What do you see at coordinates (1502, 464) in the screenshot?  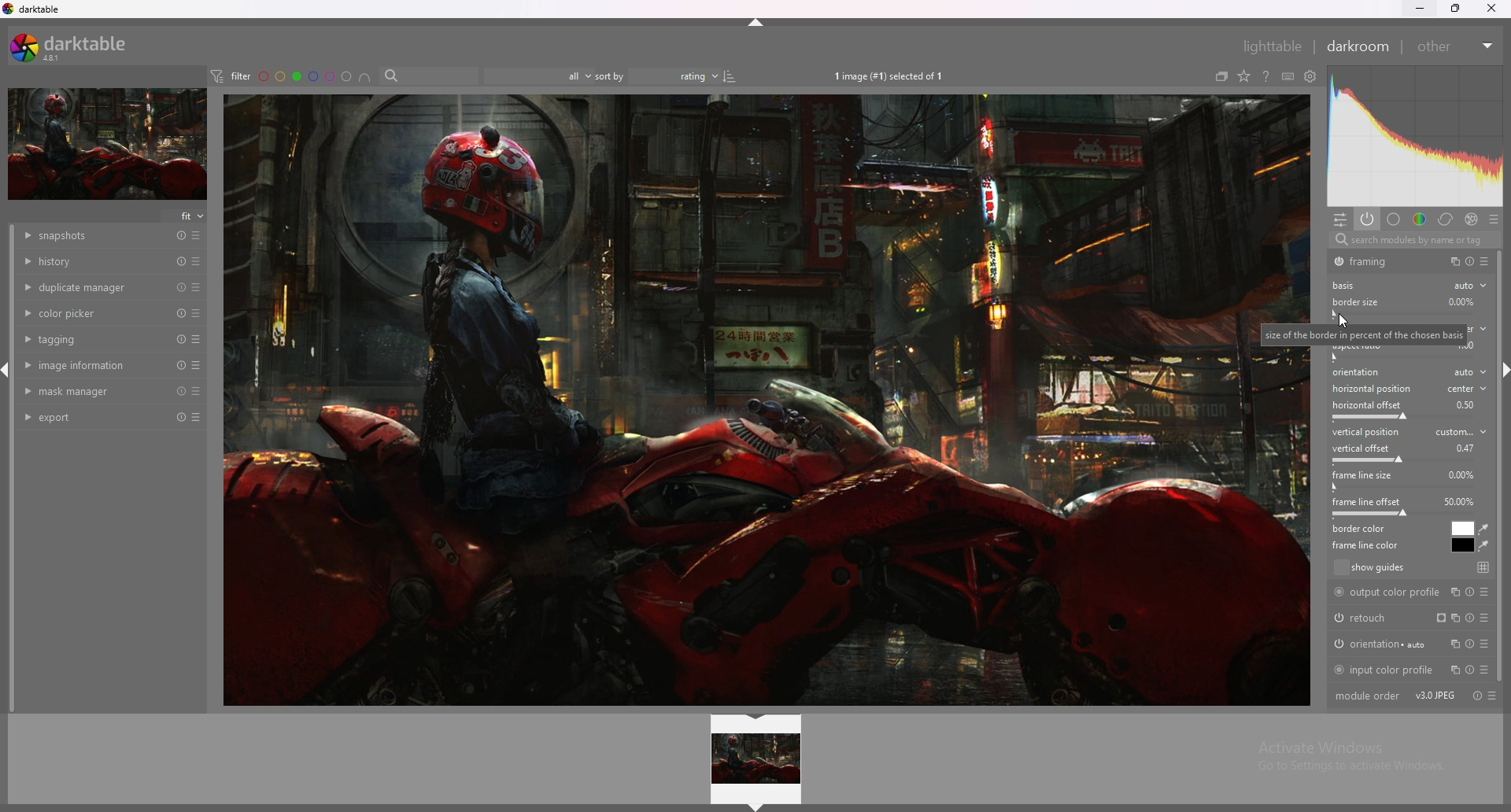 I see `scroll bar` at bounding box center [1502, 464].